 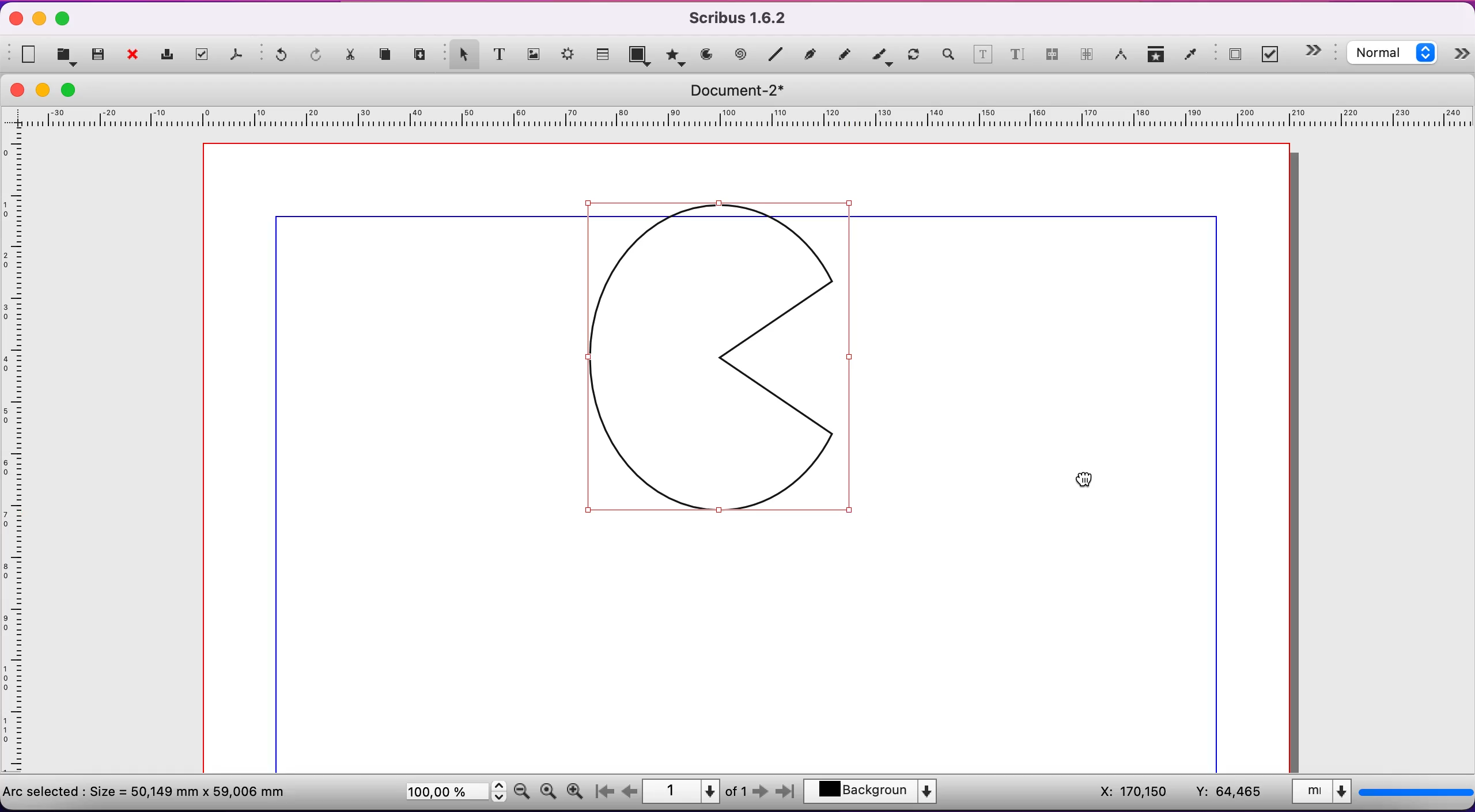 What do you see at coordinates (1380, 794) in the screenshot?
I see `measurement selected` at bounding box center [1380, 794].